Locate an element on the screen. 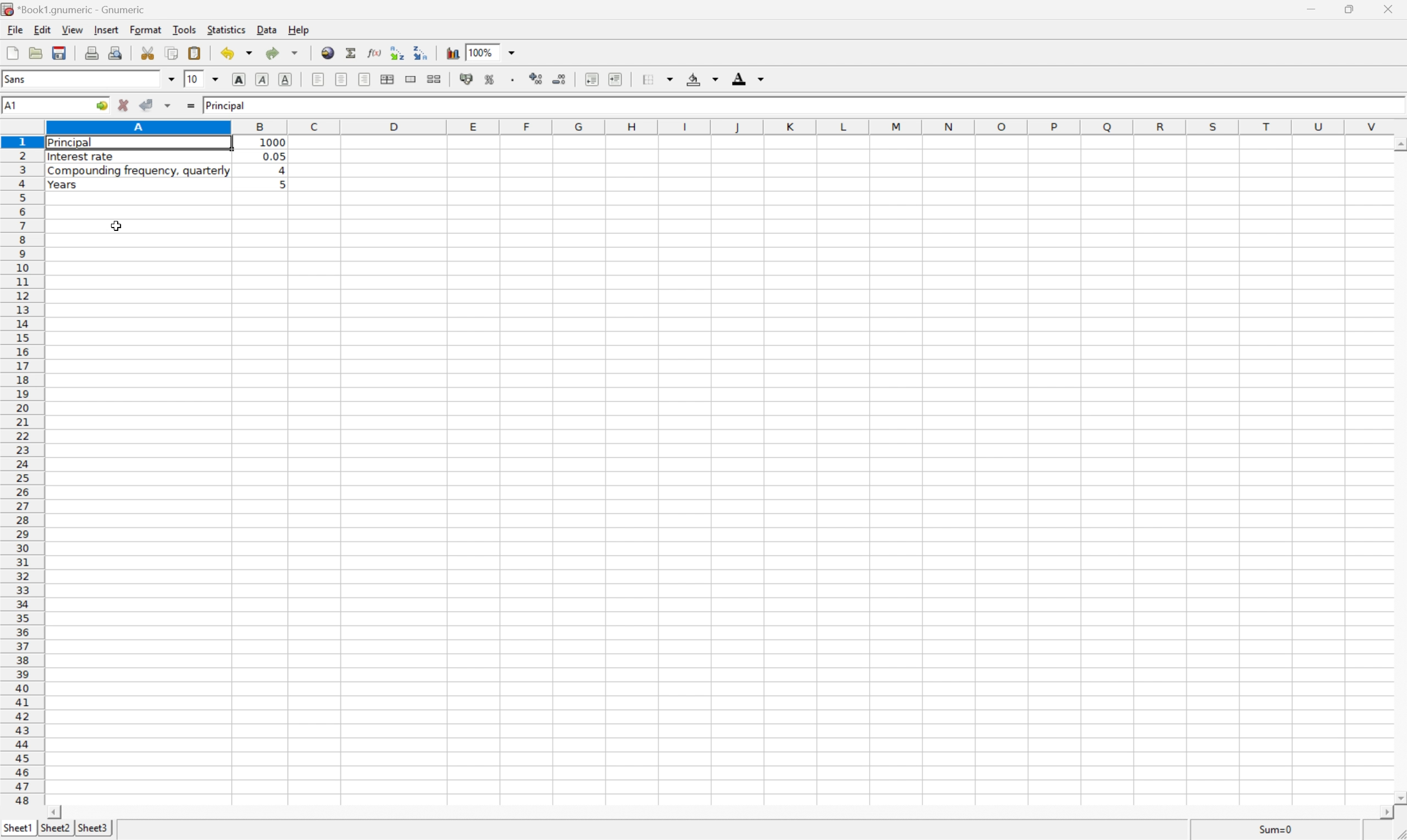 Image resolution: width=1407 pixels, height=840 pixels. drop down is located at coordinates (169, 79).